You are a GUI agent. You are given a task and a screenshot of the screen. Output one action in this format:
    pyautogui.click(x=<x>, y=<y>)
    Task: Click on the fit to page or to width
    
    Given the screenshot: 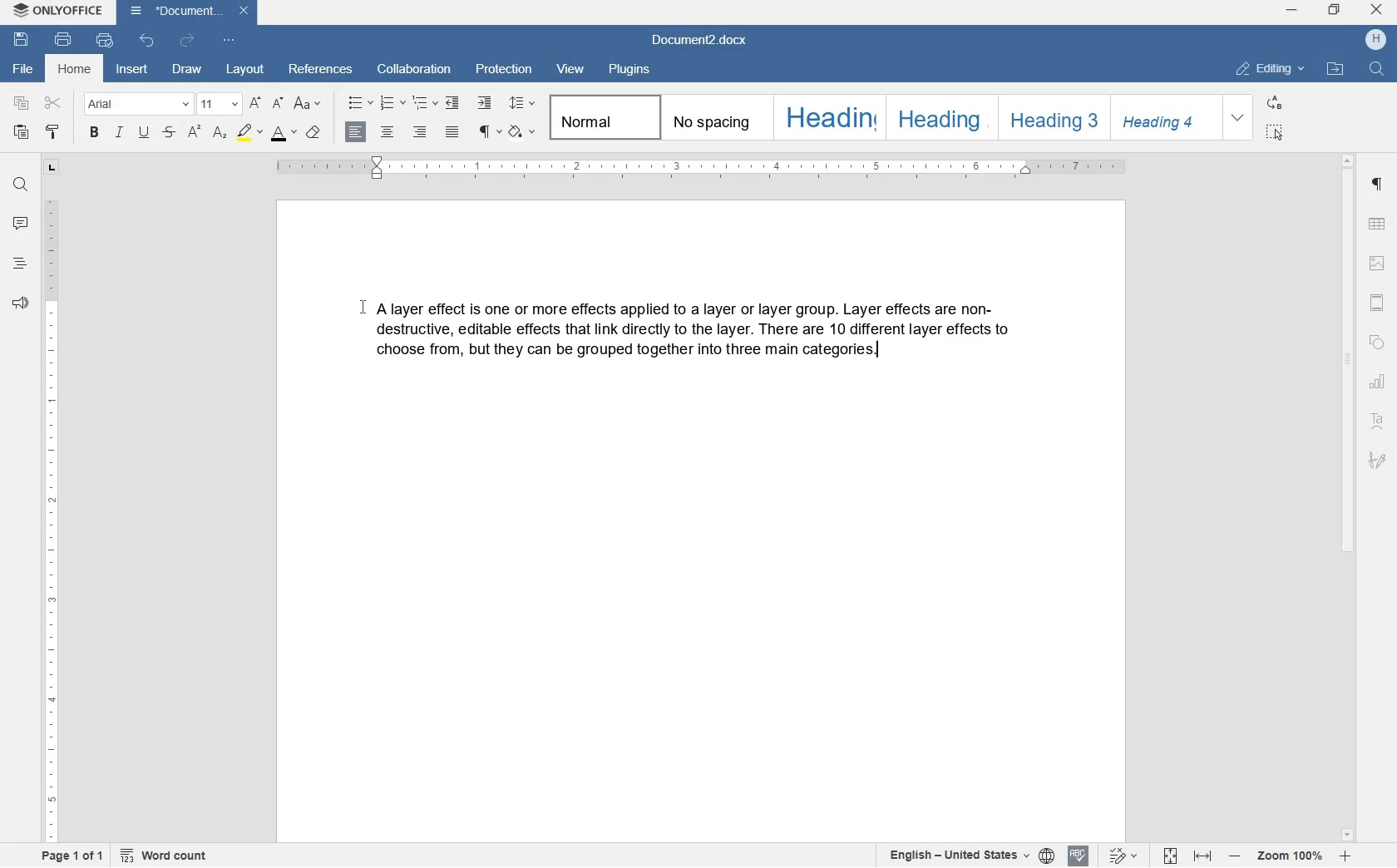 What is the action you would take?
    pyautogui.click(x=1187, y=856)
    